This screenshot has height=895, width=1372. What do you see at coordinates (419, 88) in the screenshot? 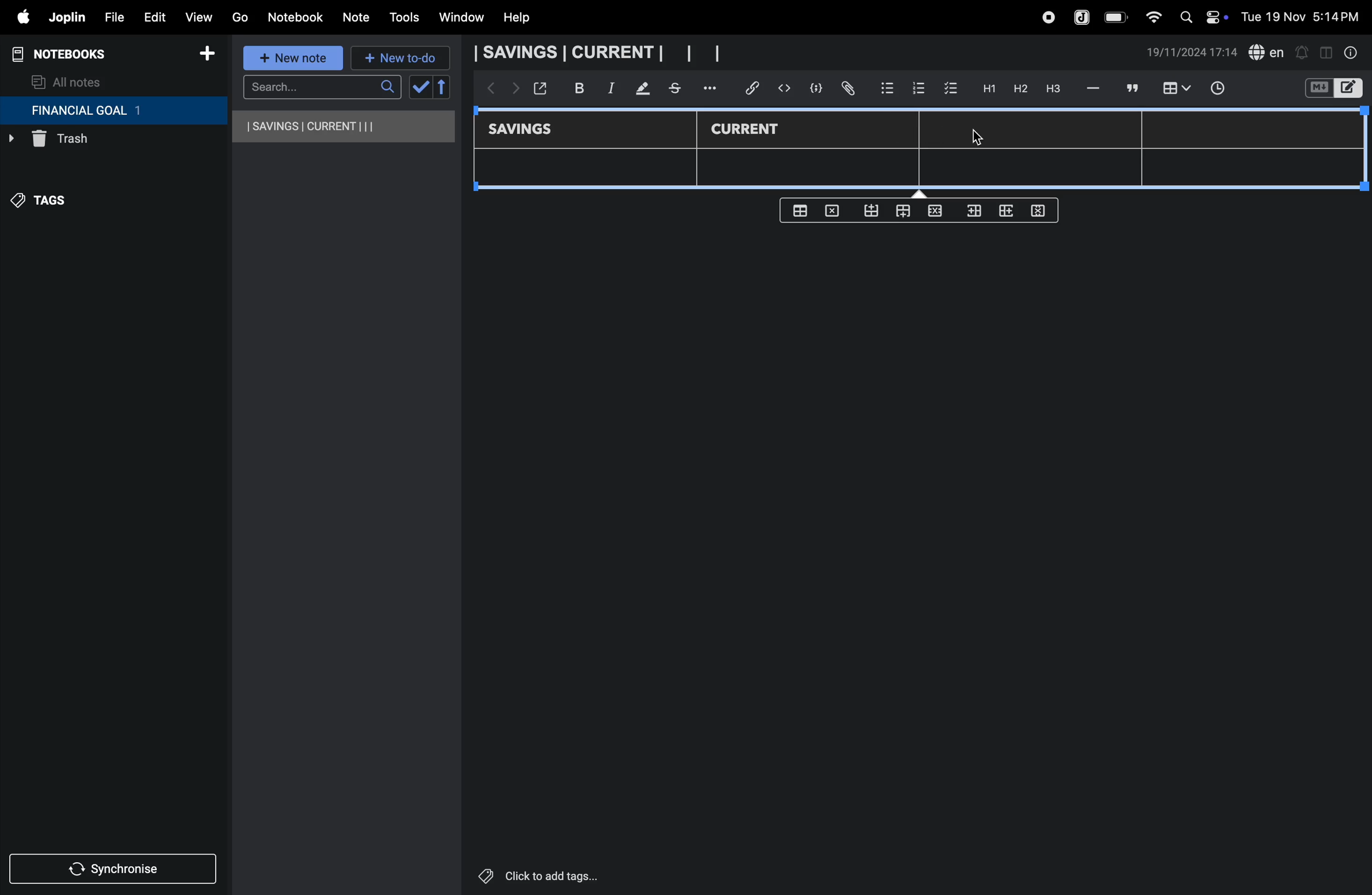
I see `check` at bounding box center [419, 88].